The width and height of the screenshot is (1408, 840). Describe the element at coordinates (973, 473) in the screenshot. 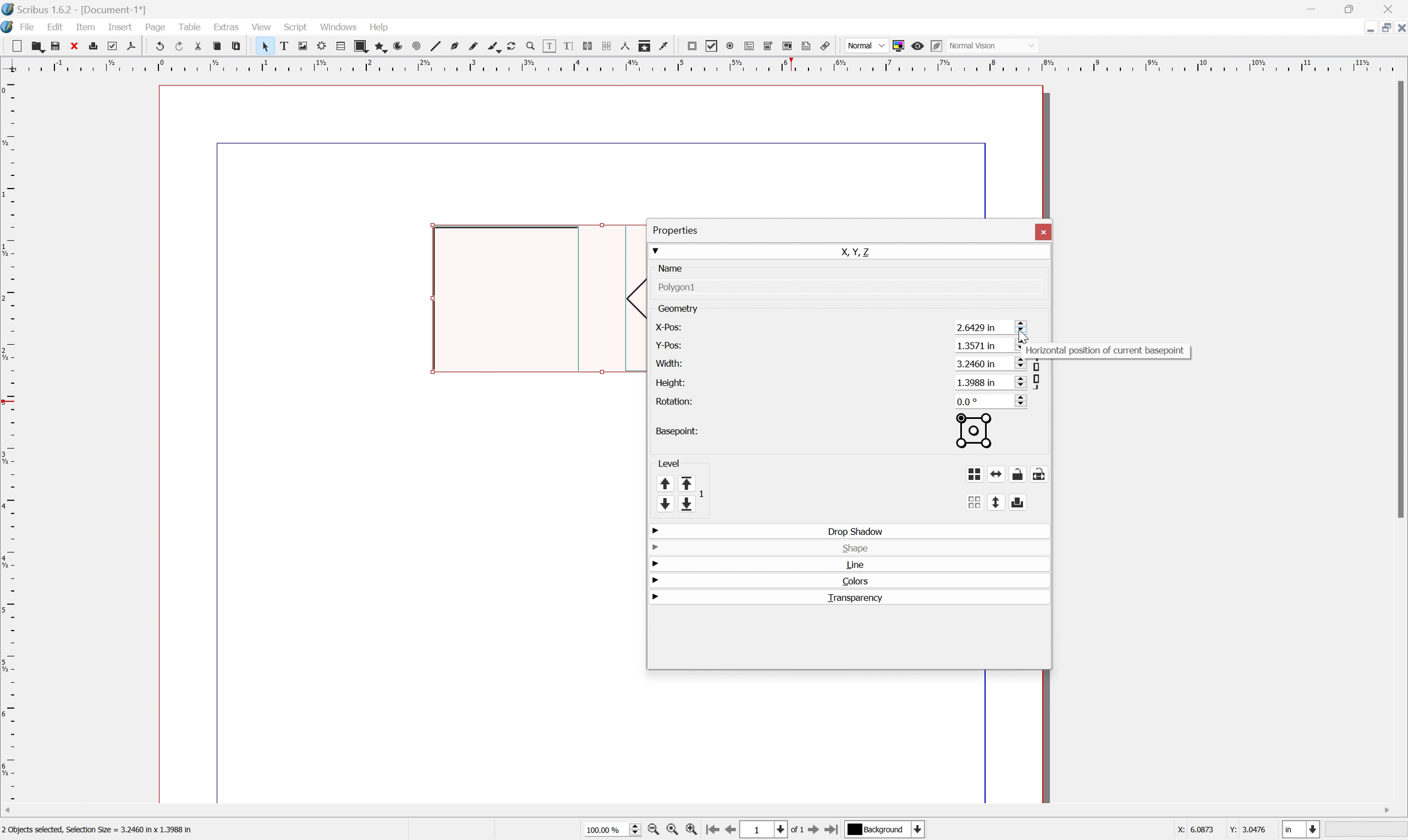

I see `group object` at that location.